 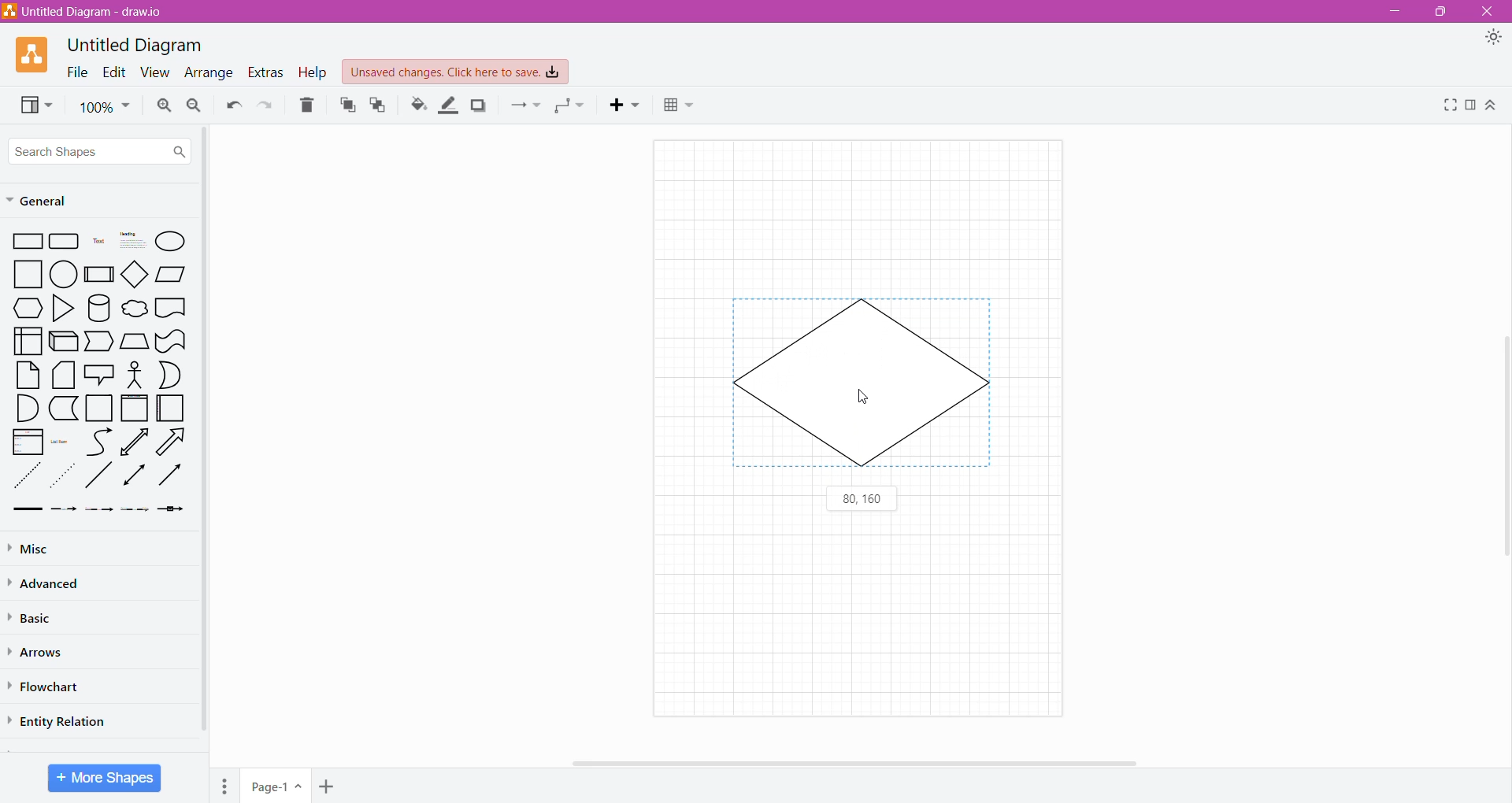 I want to click on Connection, so click(x=525, y=105).